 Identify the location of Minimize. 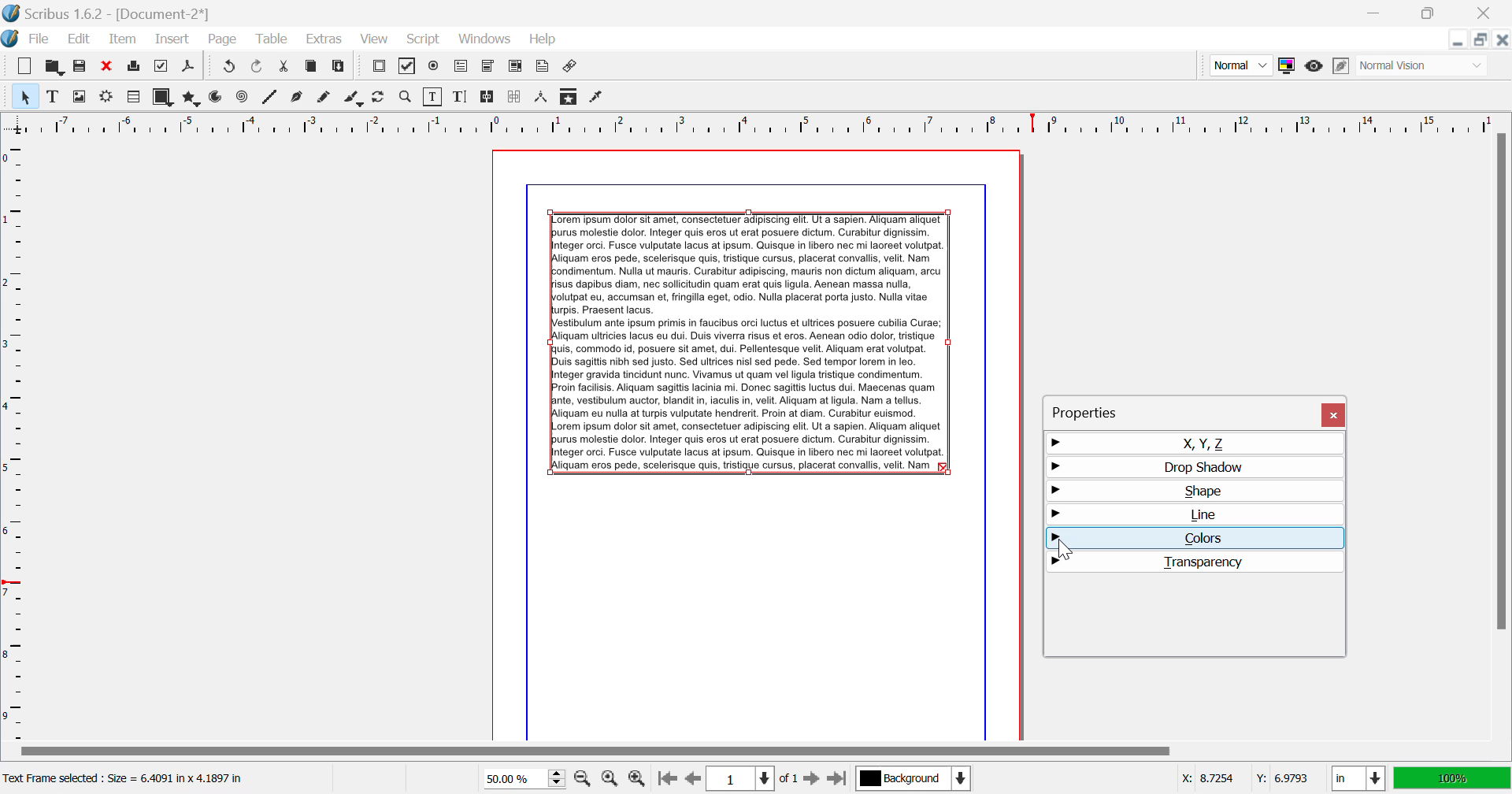
(1432, 13).